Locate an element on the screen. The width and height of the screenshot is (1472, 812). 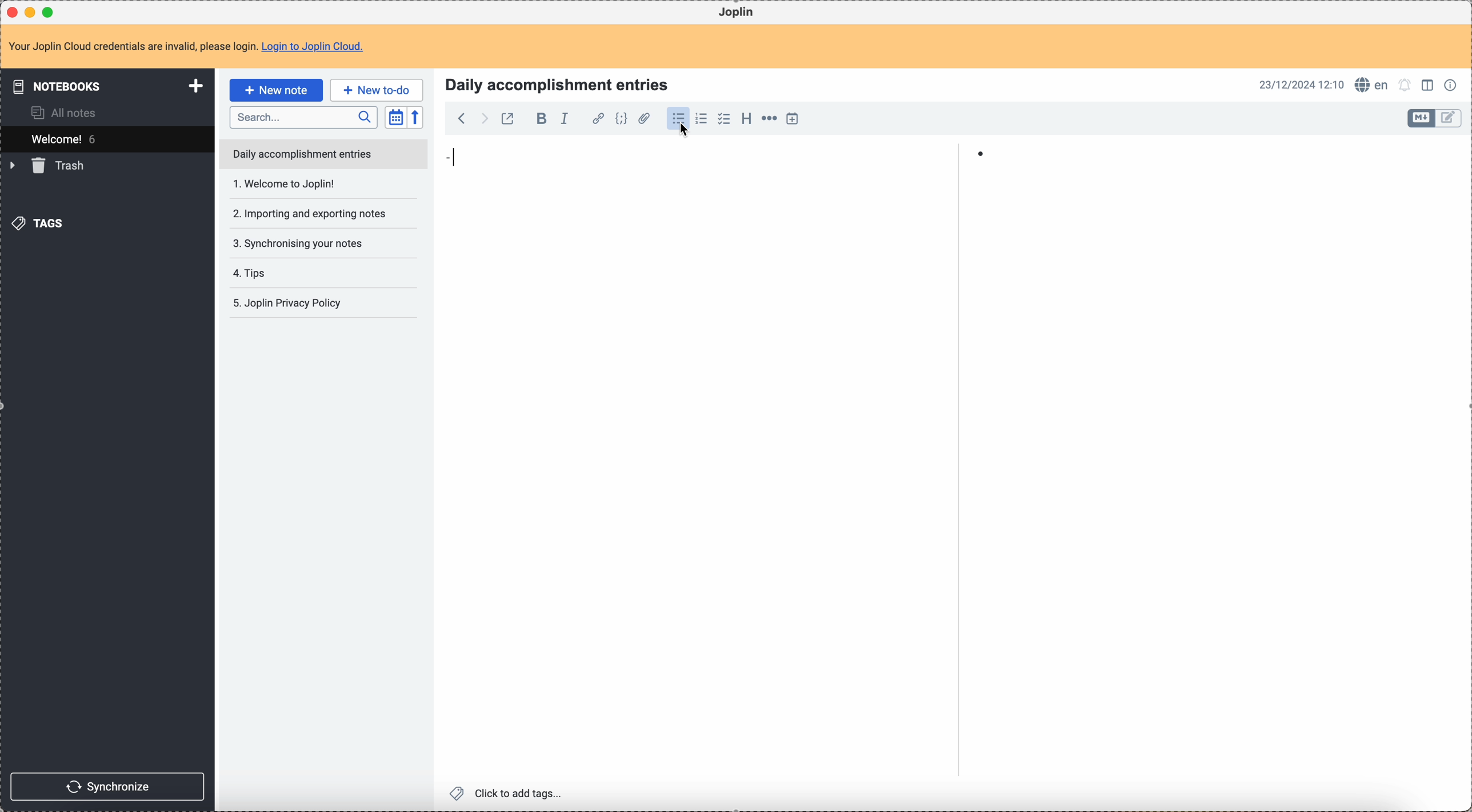
new to-do is located at coordinates (377, 89).